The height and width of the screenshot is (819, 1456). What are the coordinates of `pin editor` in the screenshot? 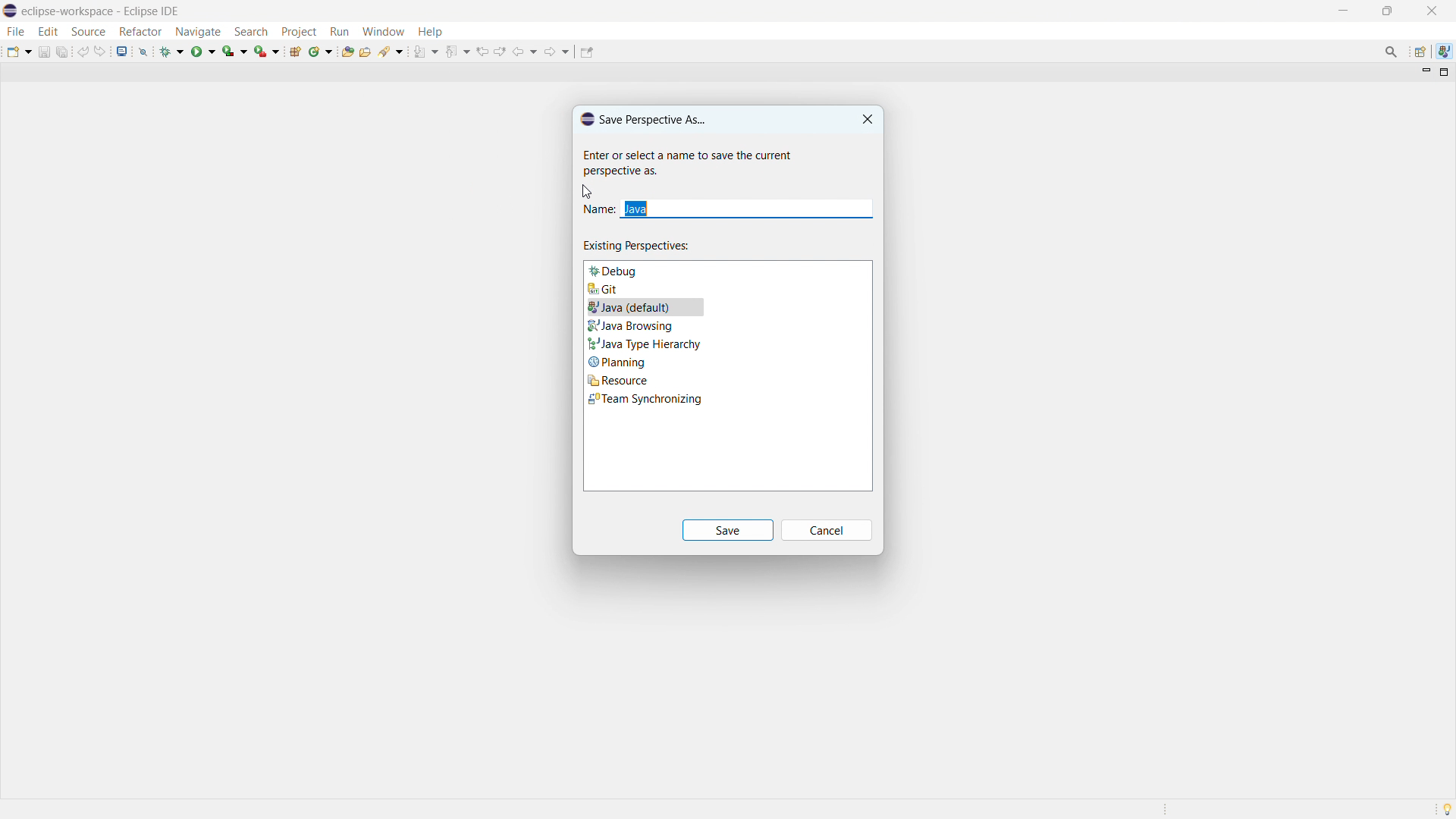 It's located at (587, 52).